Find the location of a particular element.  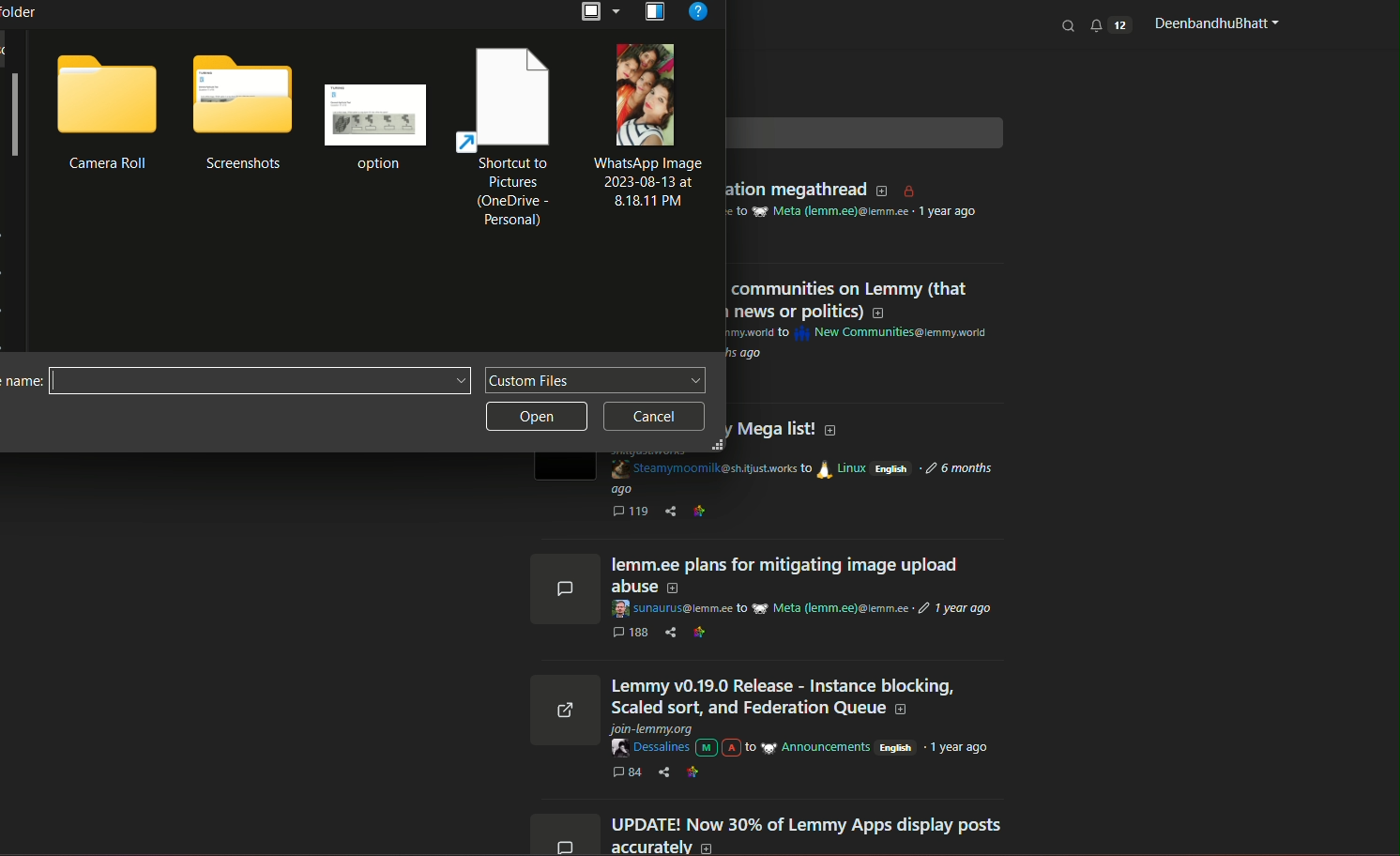

folder is located at coordinates (108, 92).